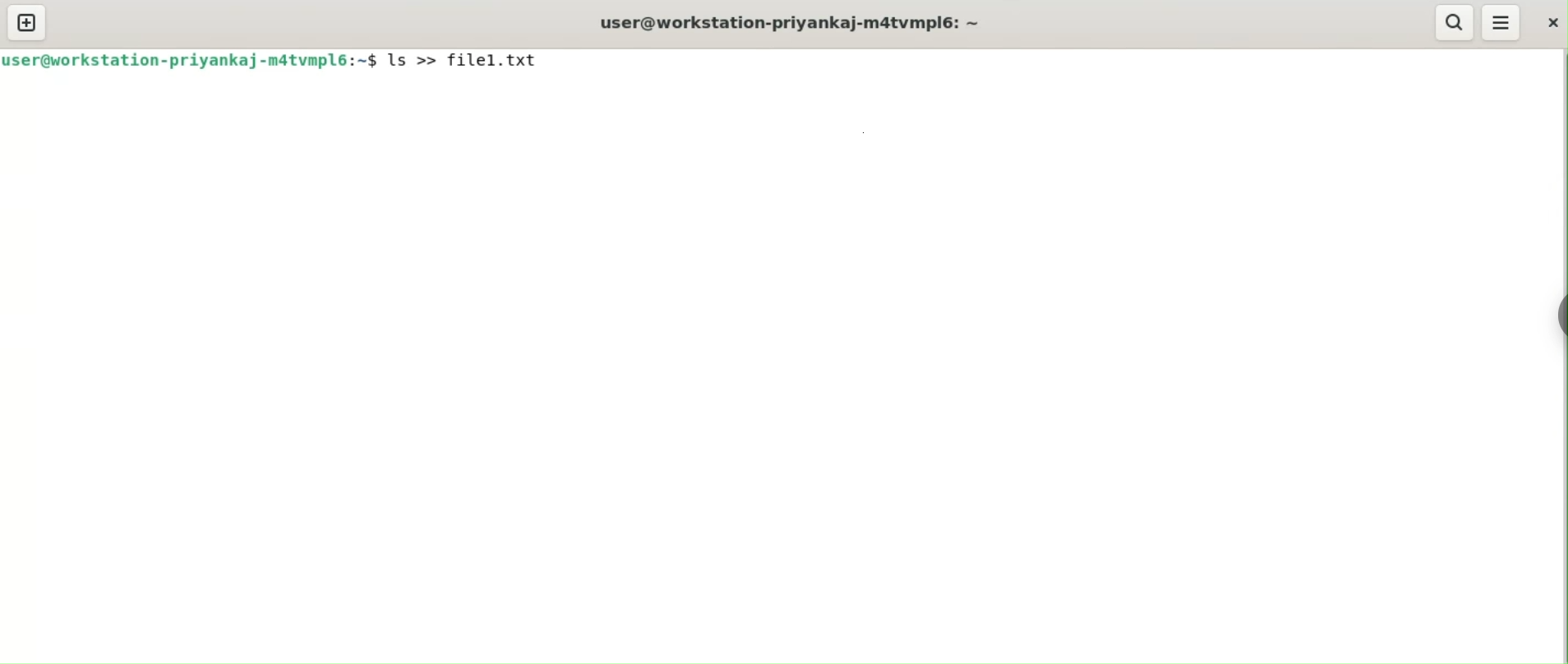  Describe the element at coordinates (1547, 23) in the screenshot. I see `close` at that location.